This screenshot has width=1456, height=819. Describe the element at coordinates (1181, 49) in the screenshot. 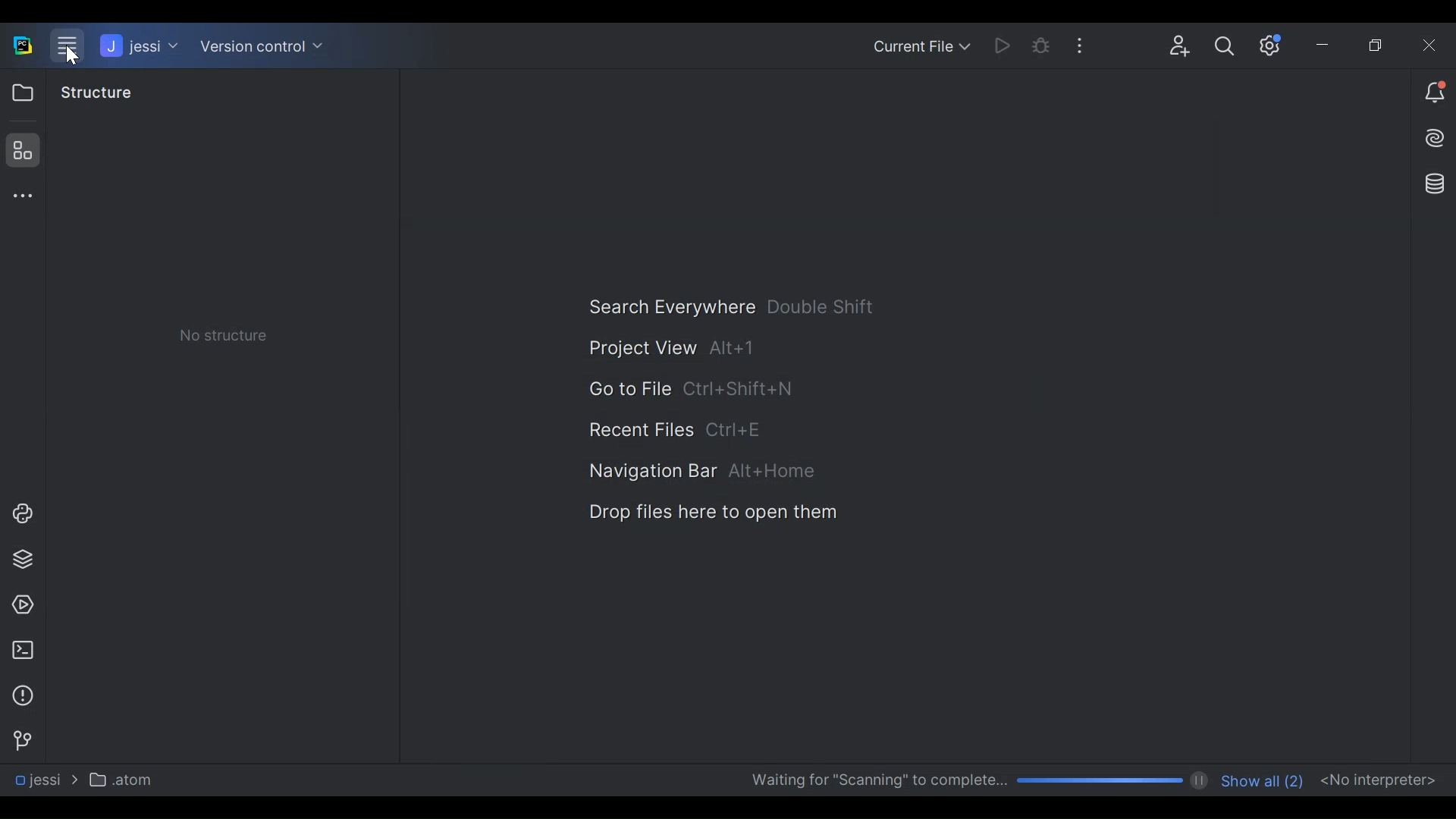

I see `Code with me` at that location.